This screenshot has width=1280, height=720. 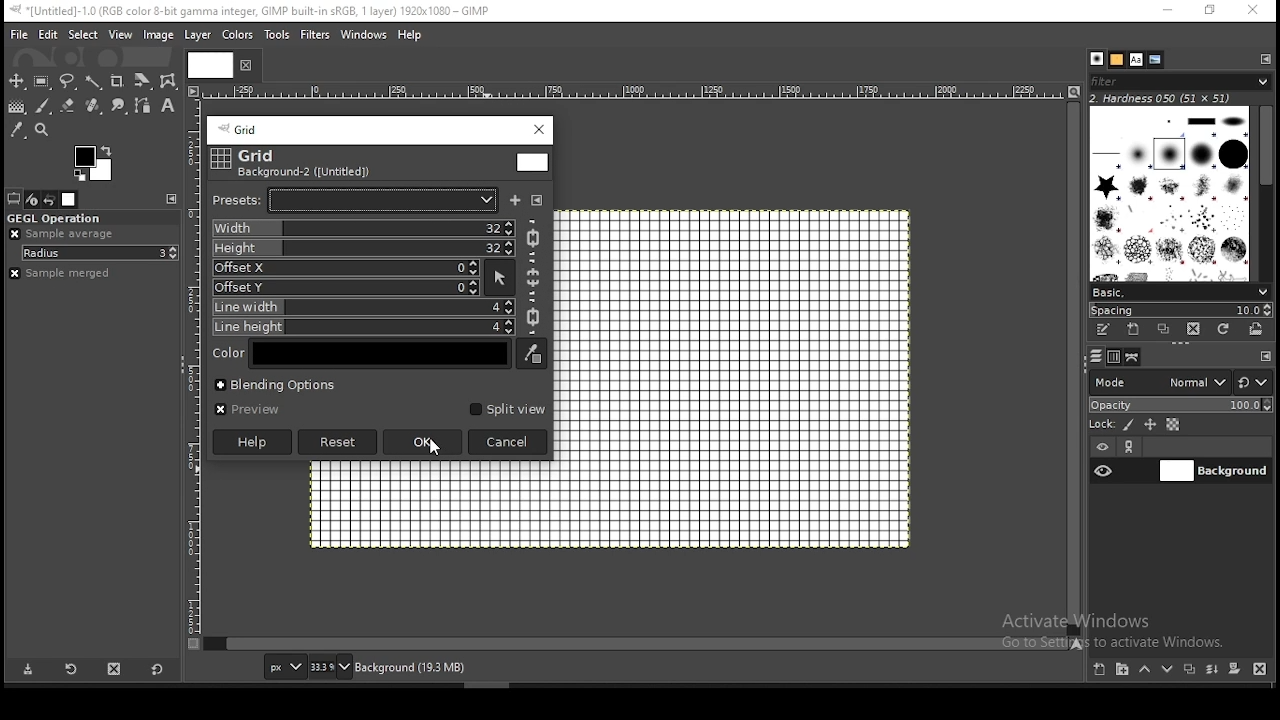 I want to click on blending options, so click(x=275, y=385).